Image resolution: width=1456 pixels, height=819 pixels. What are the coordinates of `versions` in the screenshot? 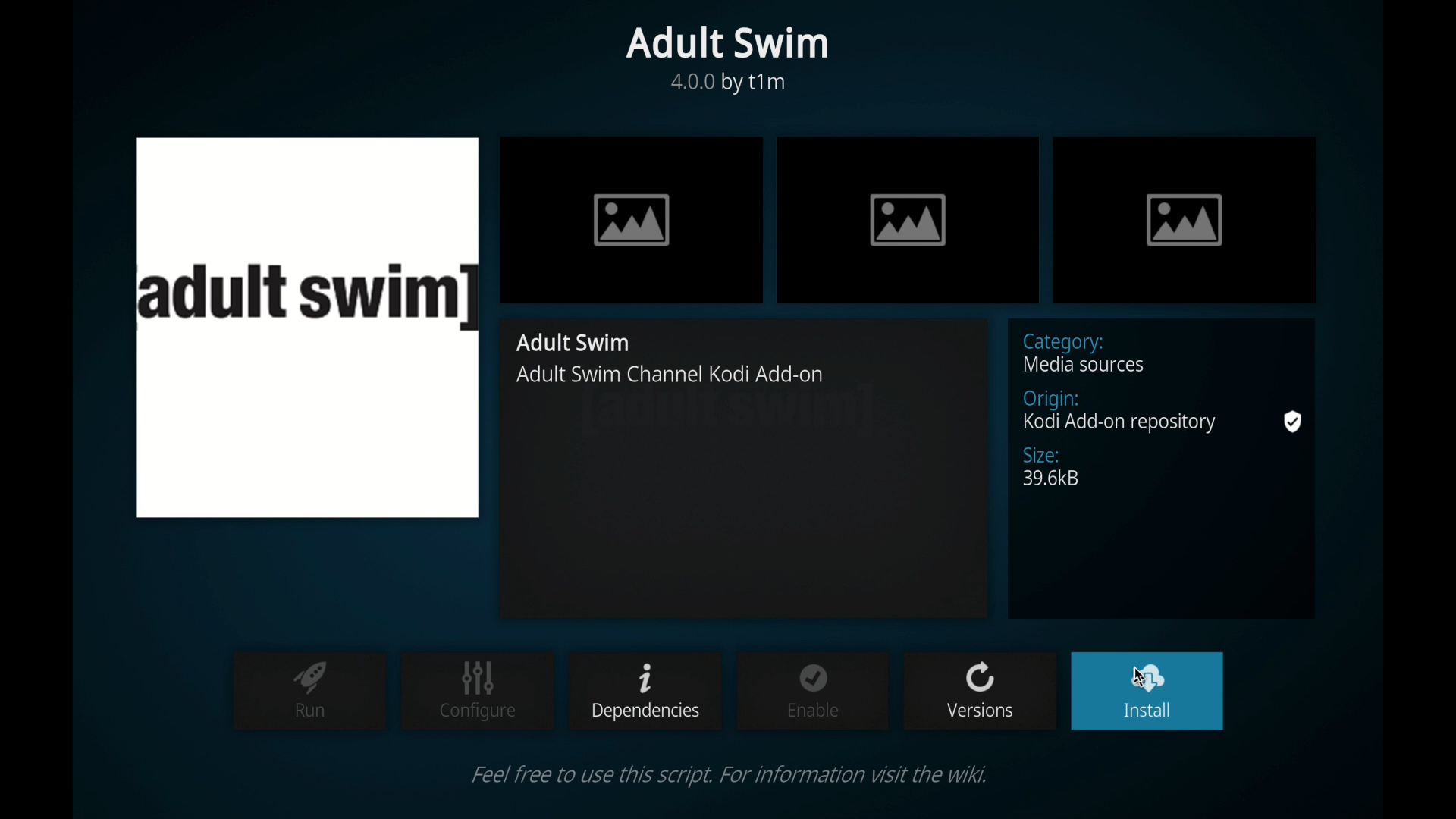 It's located at (979, 691).